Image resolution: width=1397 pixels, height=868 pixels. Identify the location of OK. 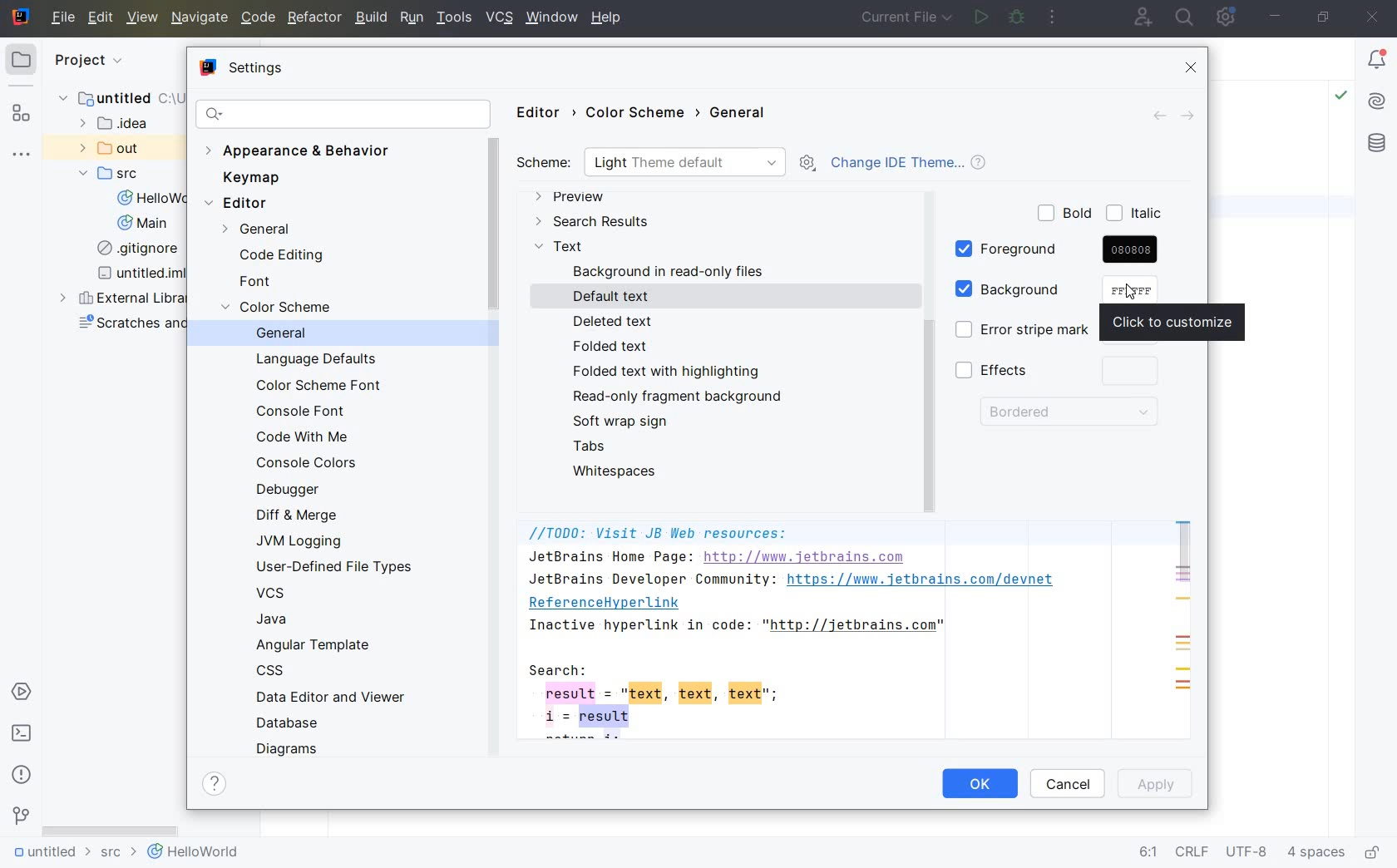
(980, 786).